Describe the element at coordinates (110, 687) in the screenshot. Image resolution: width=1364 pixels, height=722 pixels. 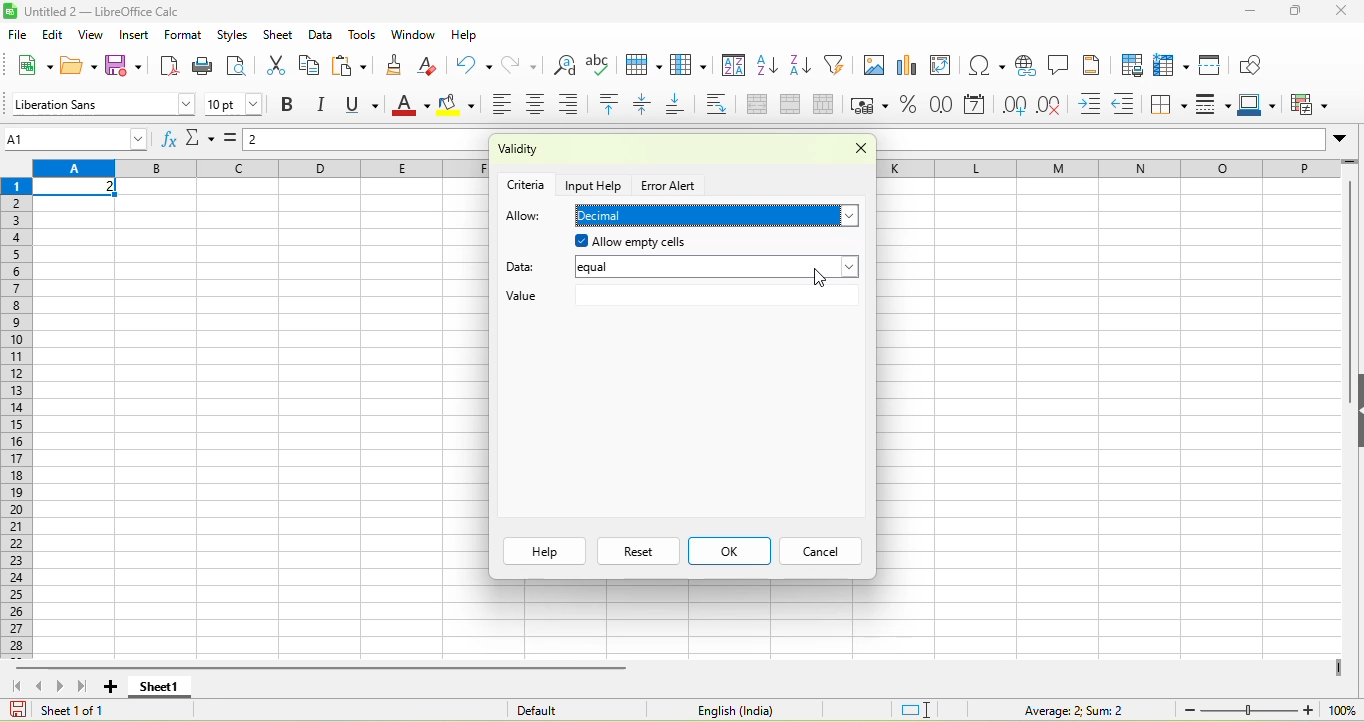
I see `add new sheet` at that location.